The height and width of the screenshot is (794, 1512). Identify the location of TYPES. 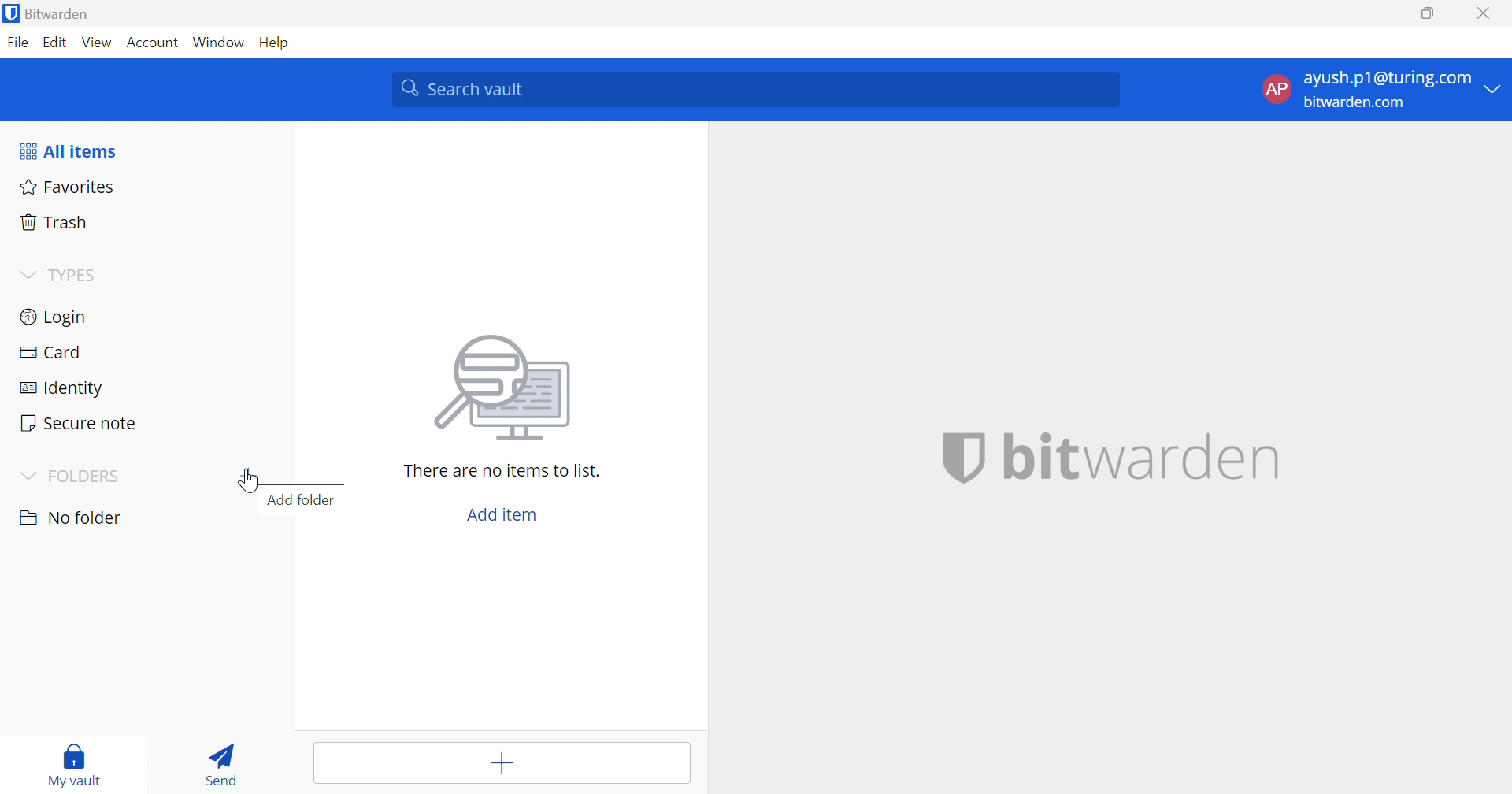
(73, 274).